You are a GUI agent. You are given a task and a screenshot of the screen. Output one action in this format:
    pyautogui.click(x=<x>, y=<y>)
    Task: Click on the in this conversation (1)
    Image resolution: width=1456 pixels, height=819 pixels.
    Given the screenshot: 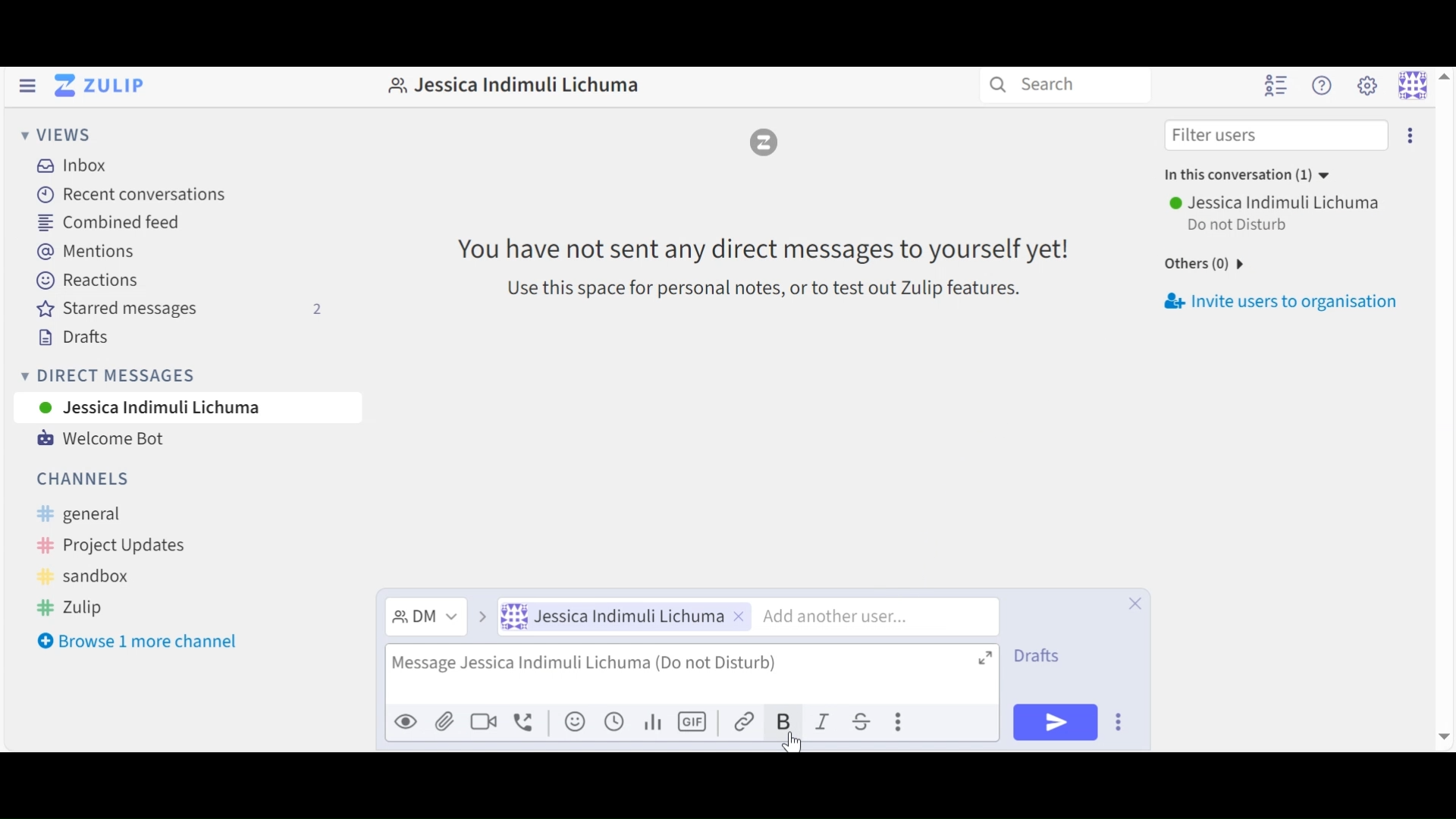 What is the action you would take?
    pyautogui.click(x=1250, y=174)
    